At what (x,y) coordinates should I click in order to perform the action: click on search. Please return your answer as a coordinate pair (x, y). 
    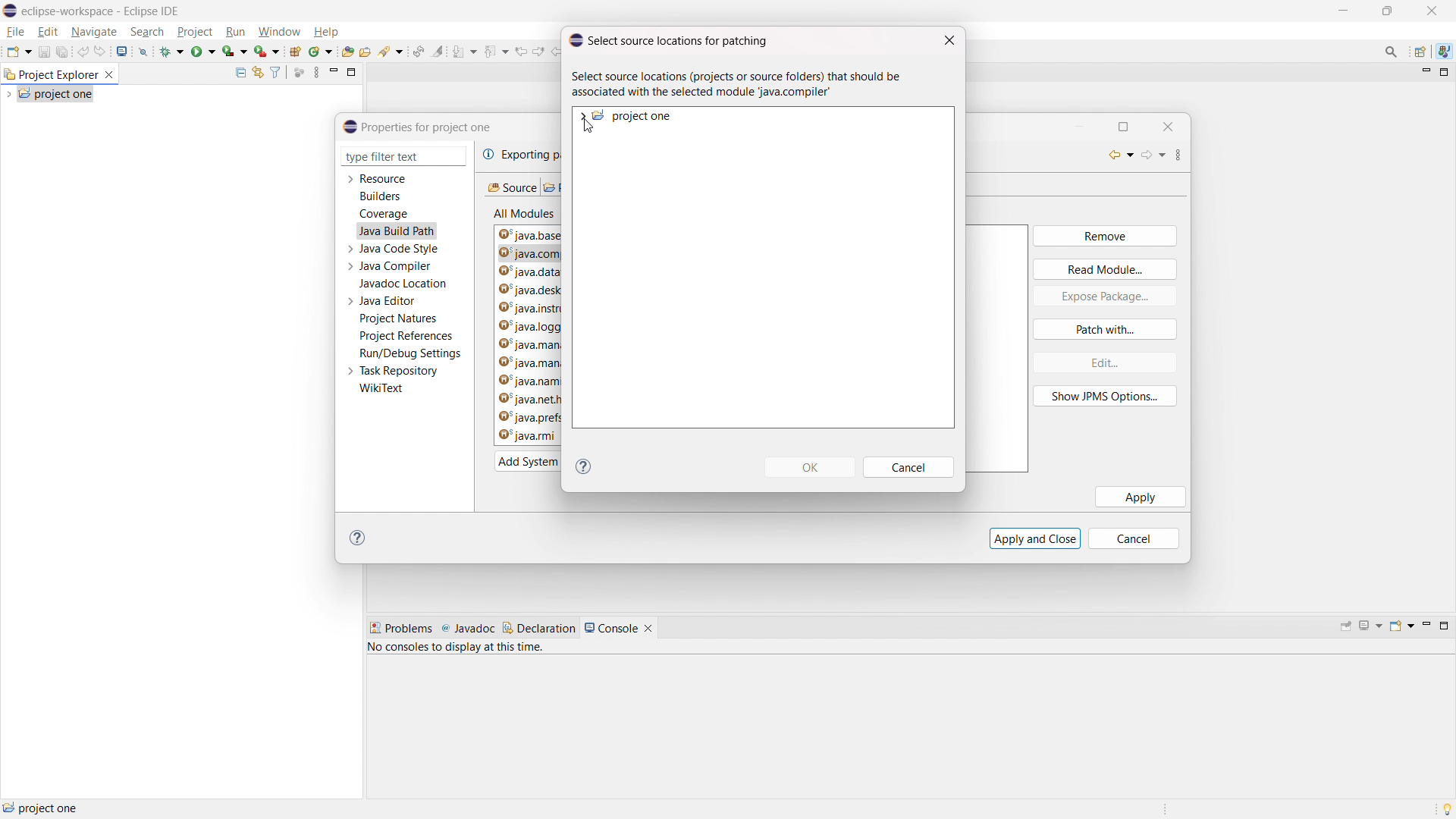
    Looking at the image, I should click on (148, 31).